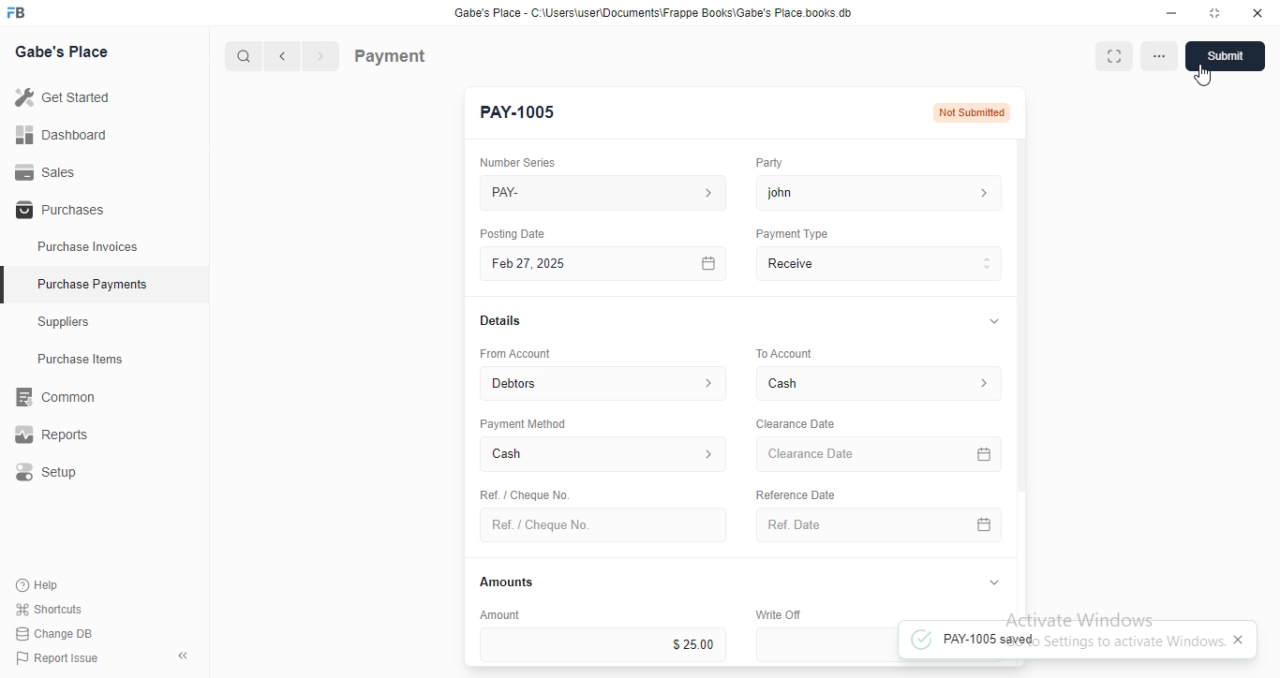  What do you see at coordinates (22, 13) in the screenshot?
I see `logo` at bounding box center [22, 13].